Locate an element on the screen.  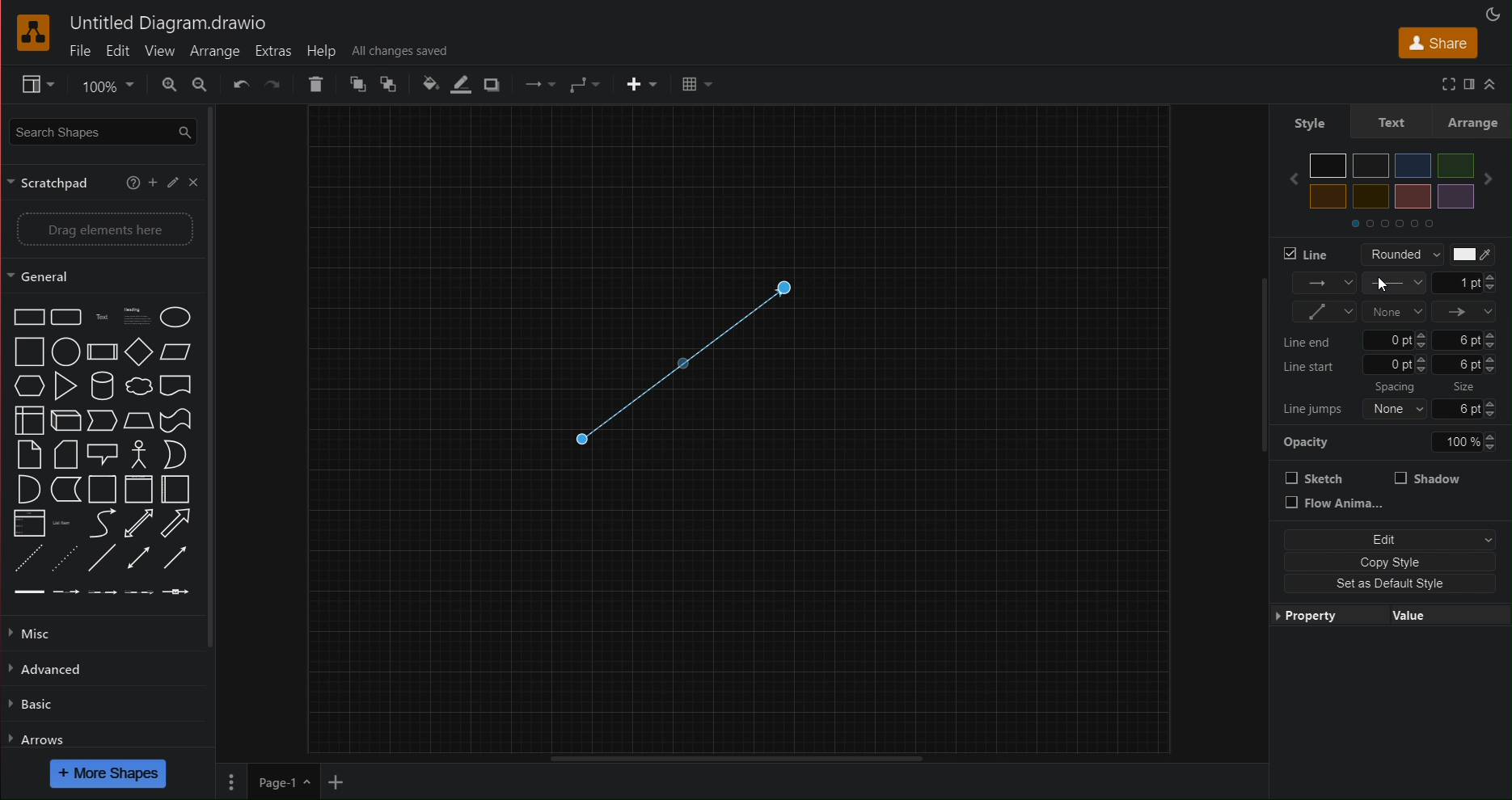
Edit is located at coordinates (1386, 540).